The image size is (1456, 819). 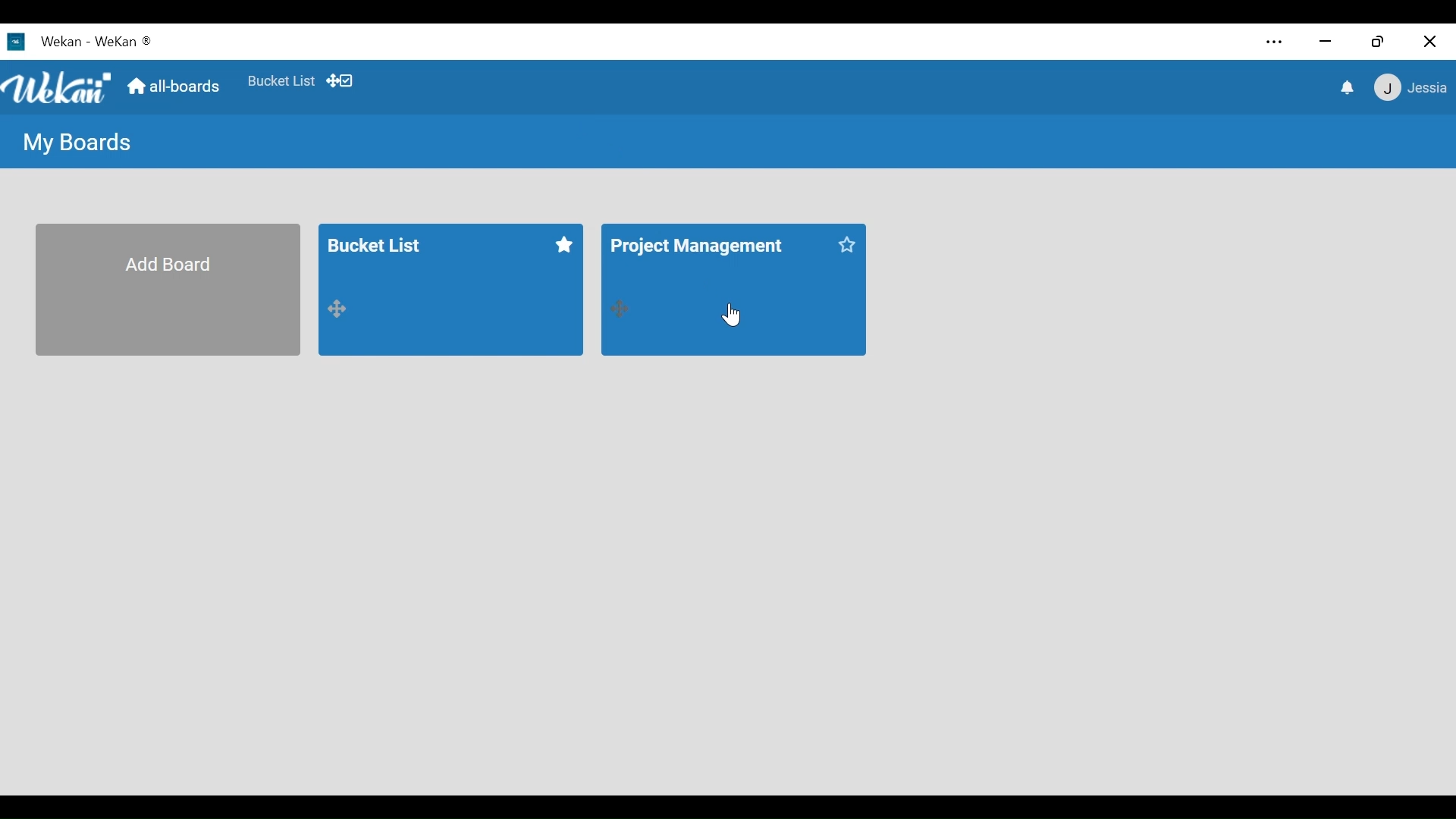 I want to click on Add Board, so click(x=169, y=291).